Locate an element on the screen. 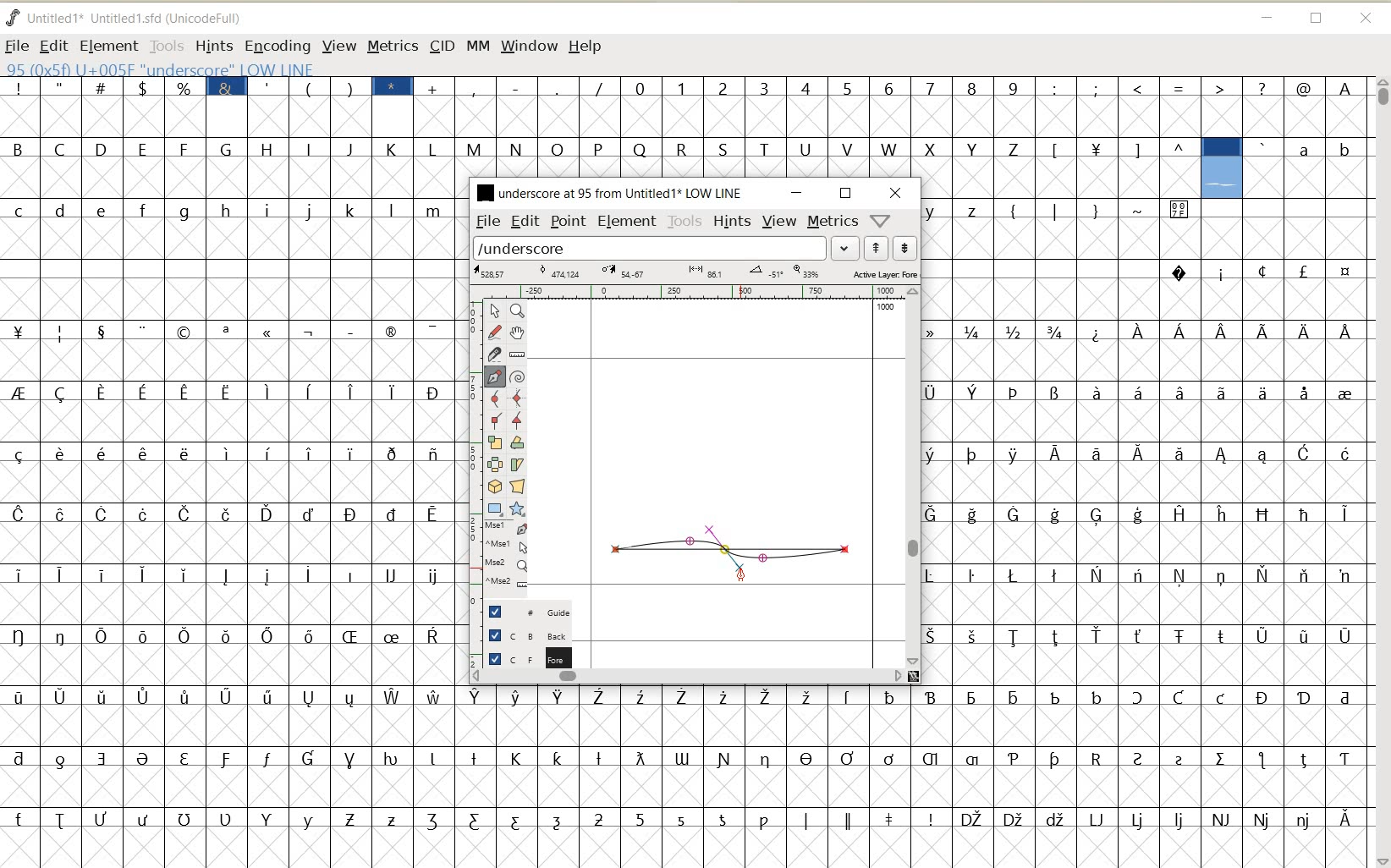 Image resolution: width=1391 pixels, height=868 pixels. ELEMENT is located at coordinates (627, 222).